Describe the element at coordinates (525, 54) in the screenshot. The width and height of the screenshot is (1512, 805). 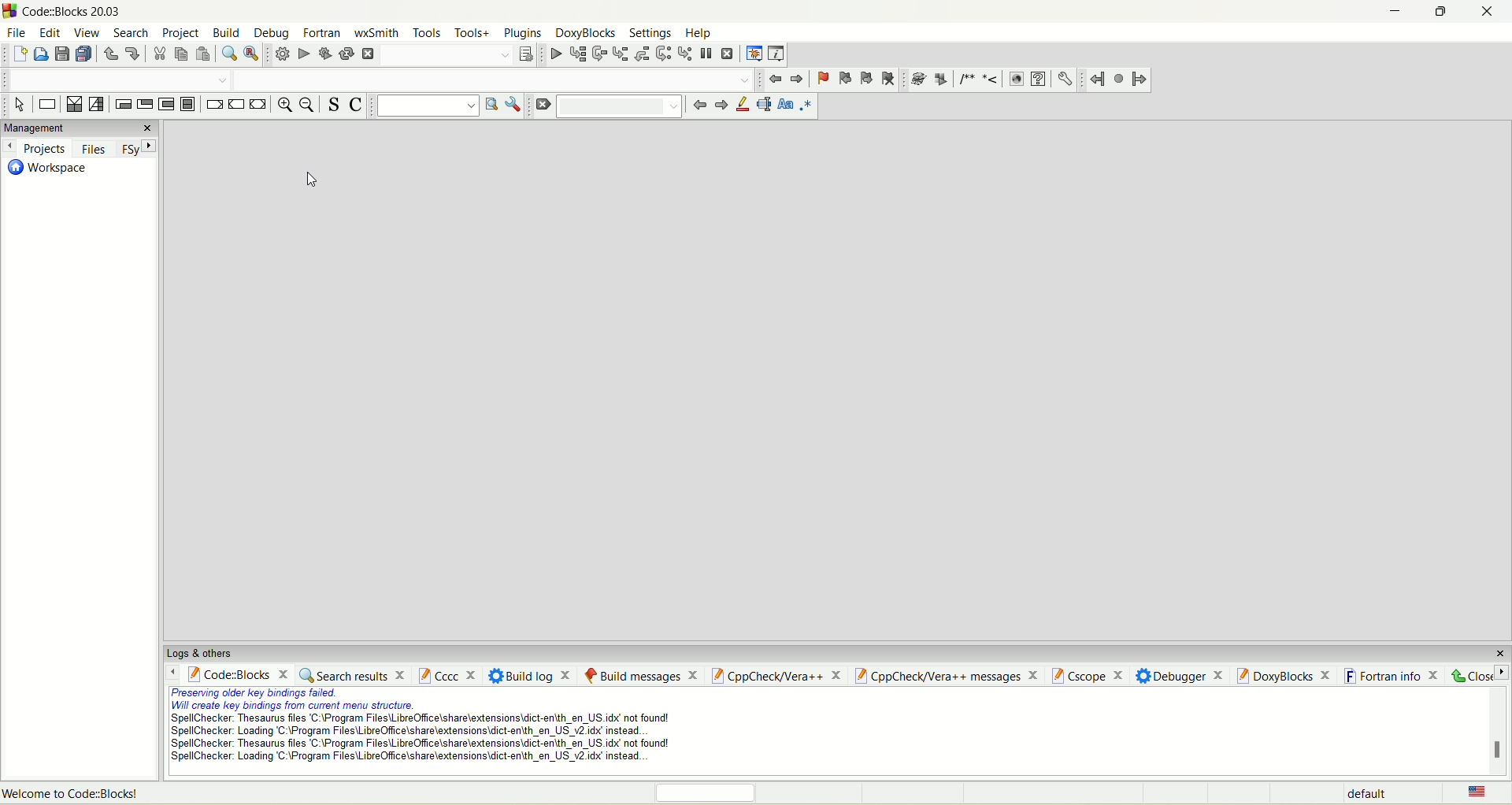
I see `select target dialog` at that location.